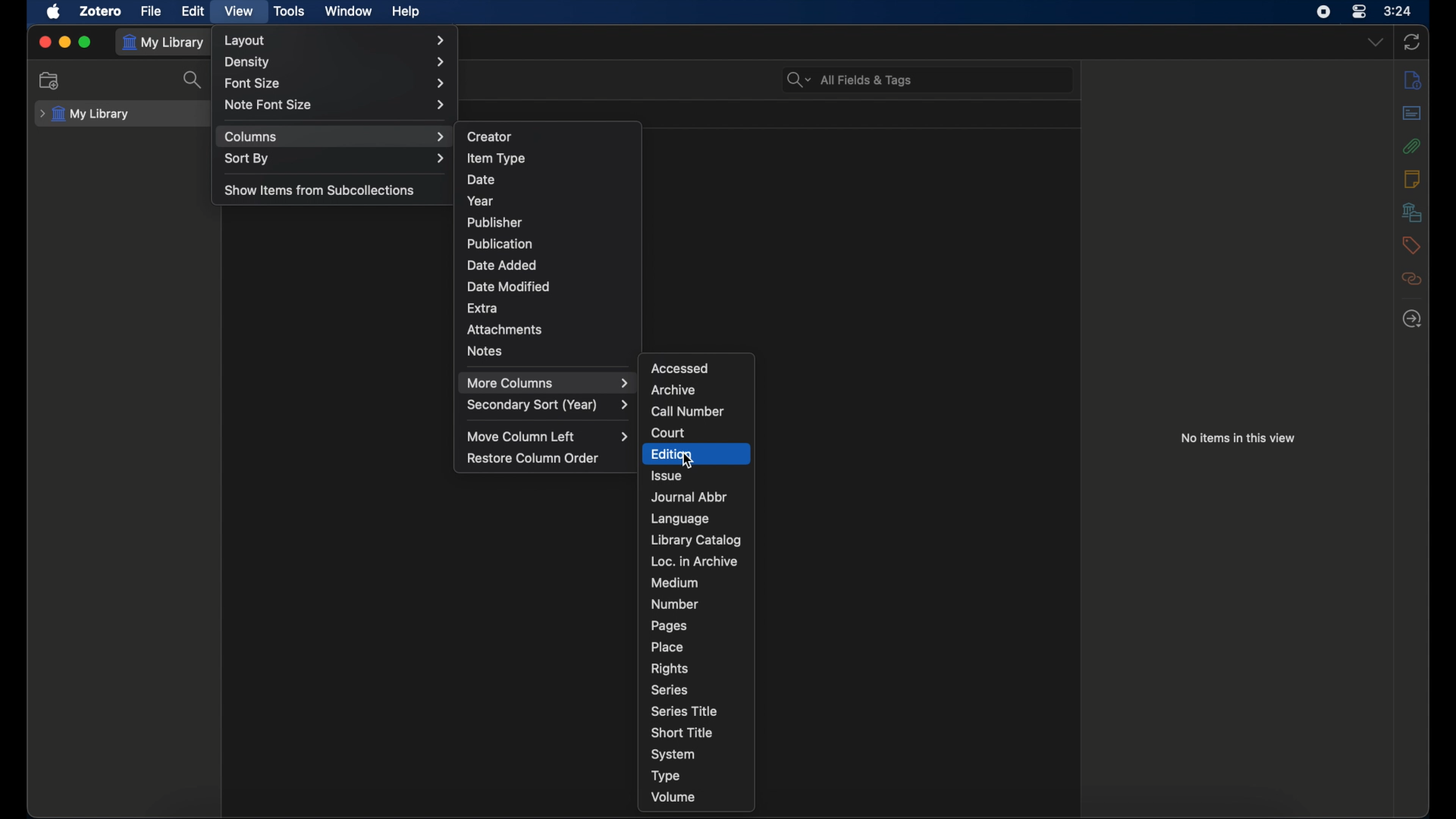 The image size is (1456, 819). I want to click on minimize, so click(65, 42).